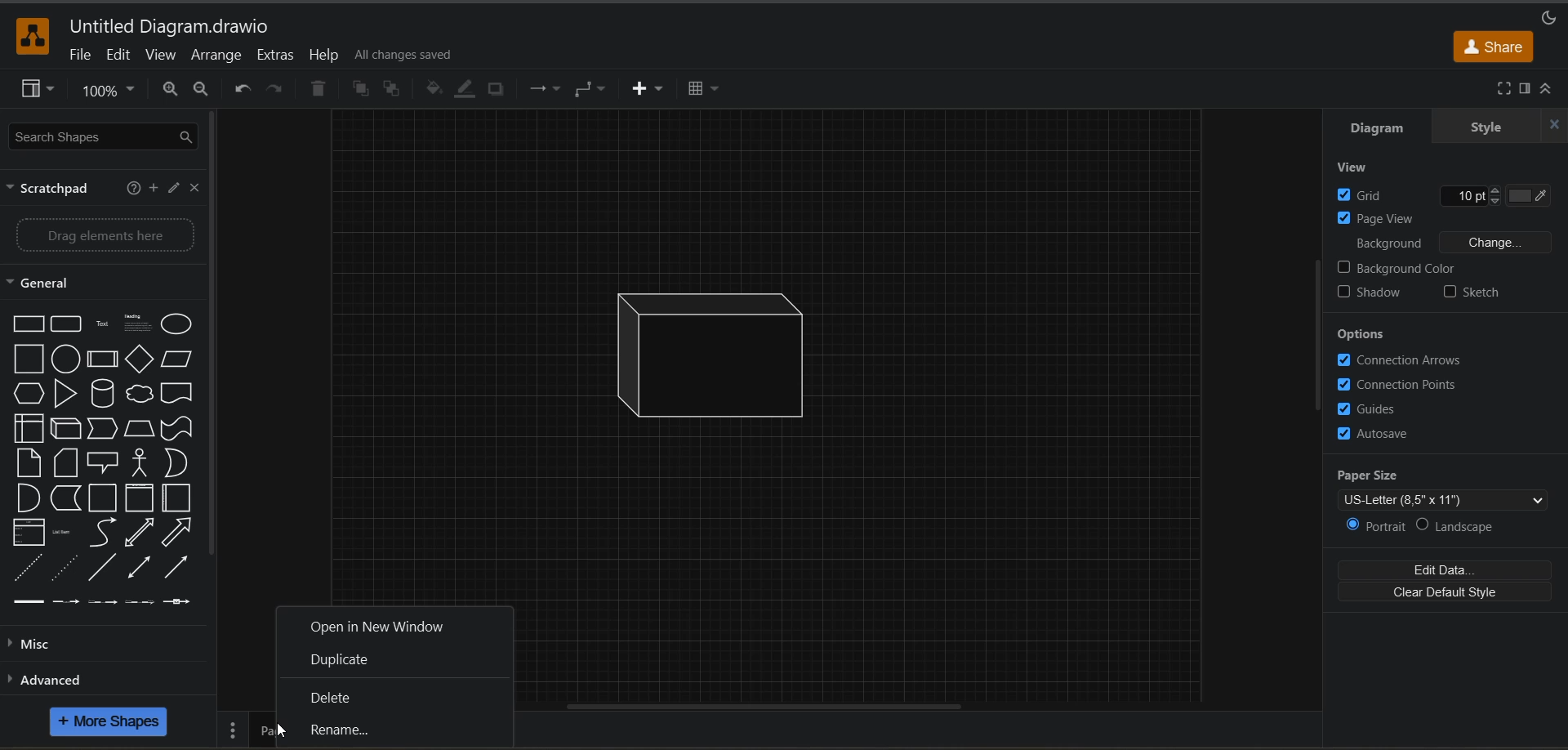 The image size is (1568, 750). Describe the element at coordinates (1401, 382) in the screenshot. I see `connection points` at that location.